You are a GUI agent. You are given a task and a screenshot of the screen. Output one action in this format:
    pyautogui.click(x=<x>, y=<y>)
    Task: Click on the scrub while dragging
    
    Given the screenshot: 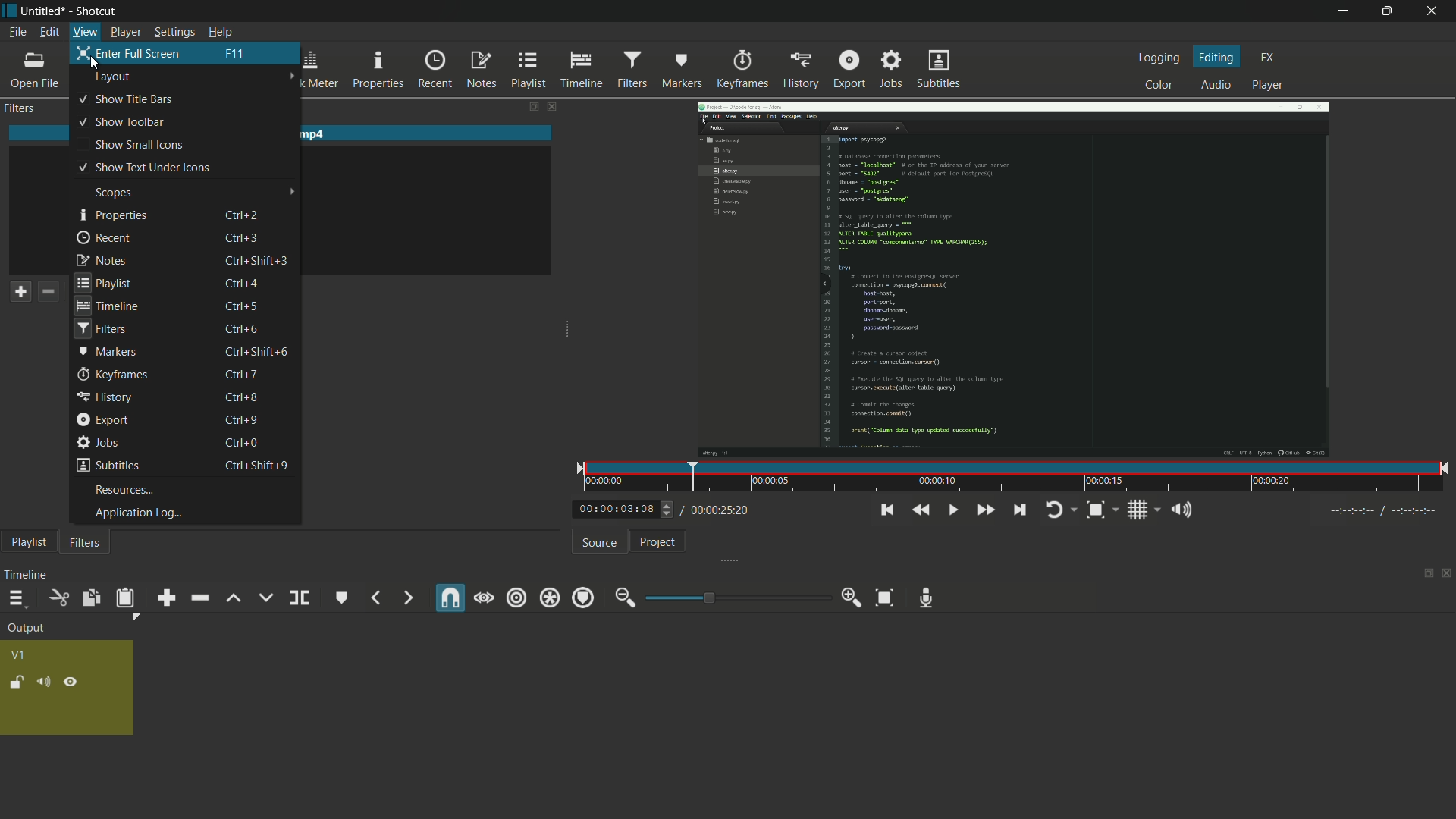 What is the action you would take?
    pyautogui.click(x=484, y=598)
    